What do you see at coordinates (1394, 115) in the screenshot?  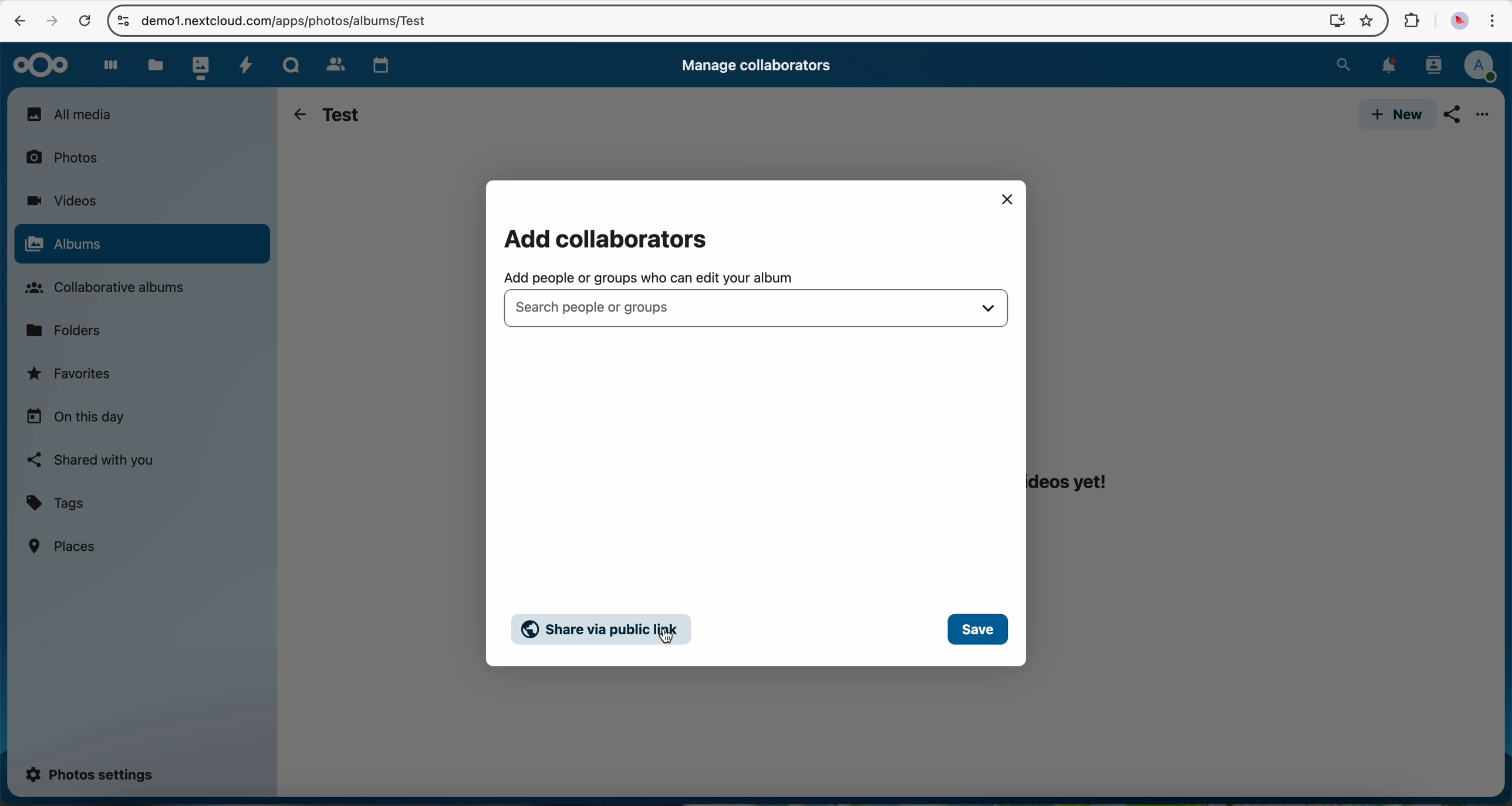 I see `new` at bounding box center [1394, 115].